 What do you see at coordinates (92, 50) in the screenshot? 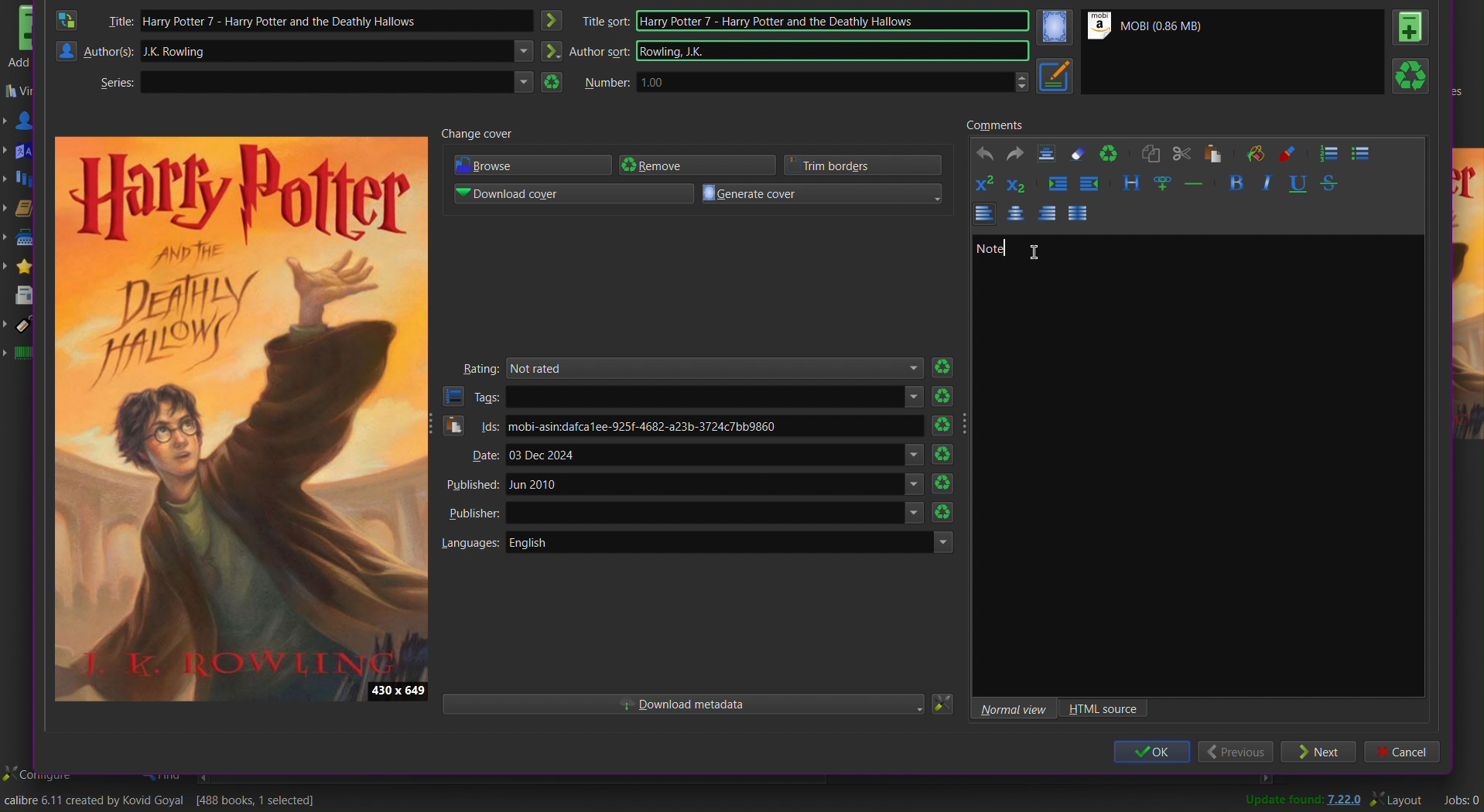
I see `Authors` at bounding box center [92, 50].